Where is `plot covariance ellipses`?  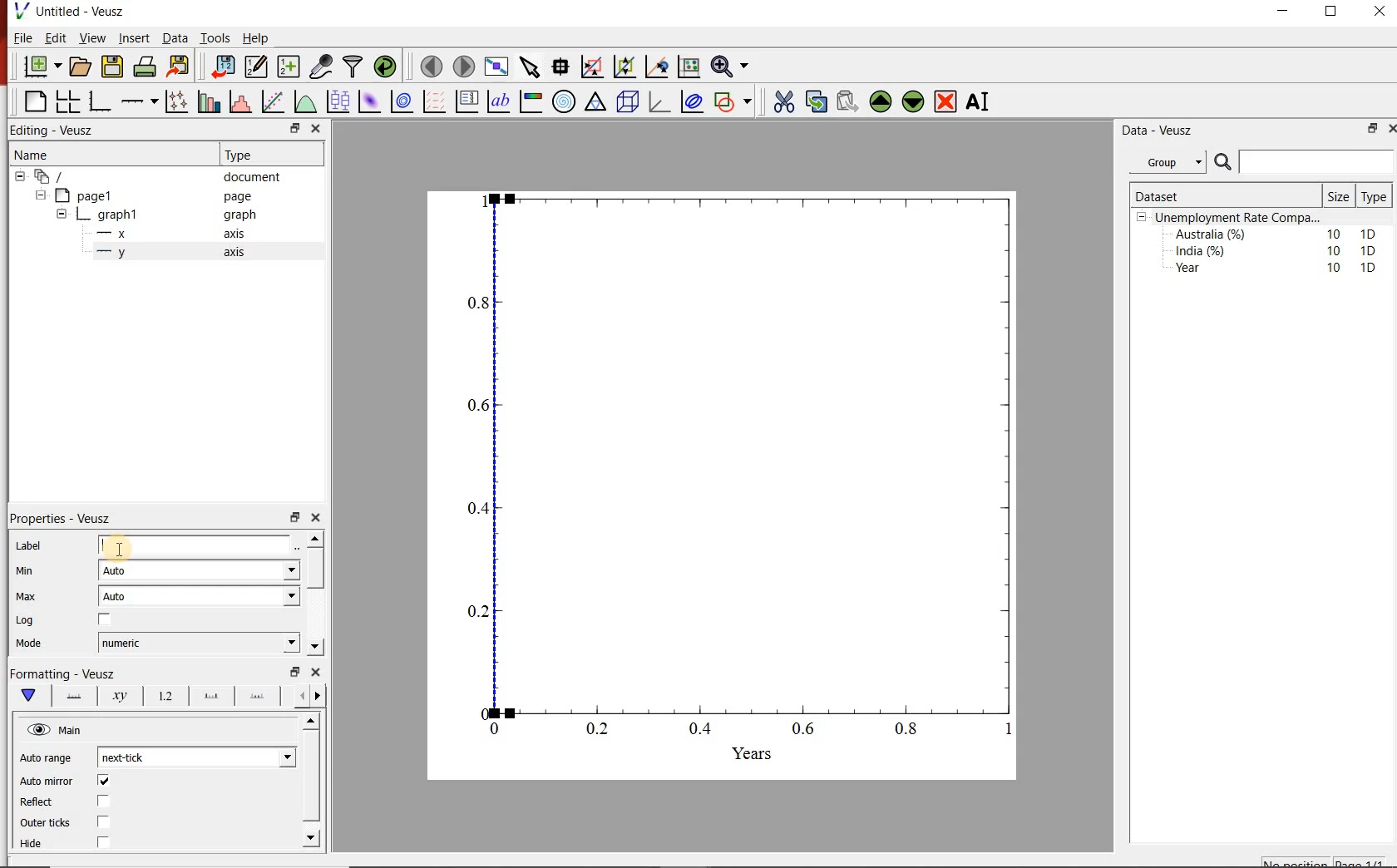 plot covariance ellipses is located at coordinates (693, 101).